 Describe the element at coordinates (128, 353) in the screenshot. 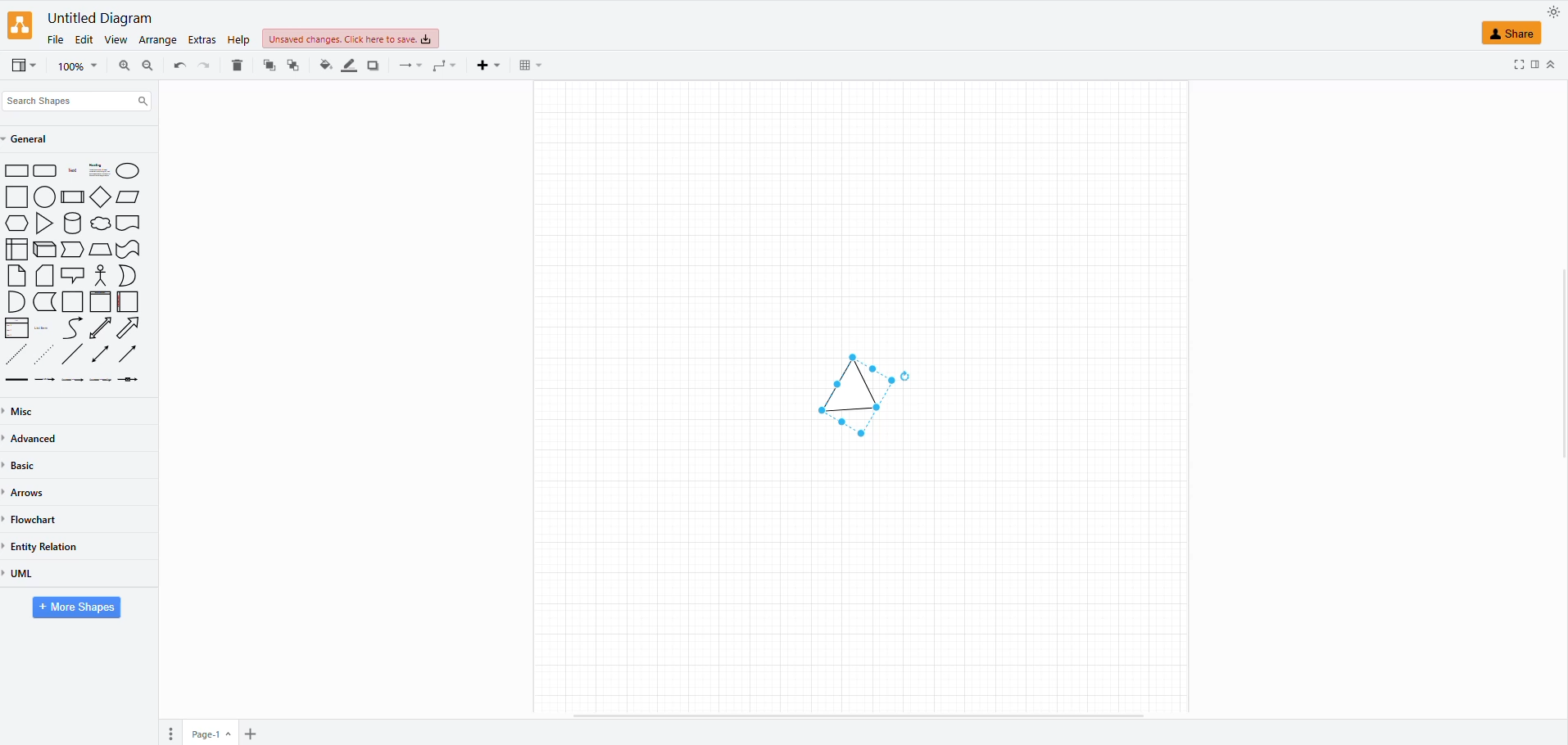

I see `Arrow` at that location.